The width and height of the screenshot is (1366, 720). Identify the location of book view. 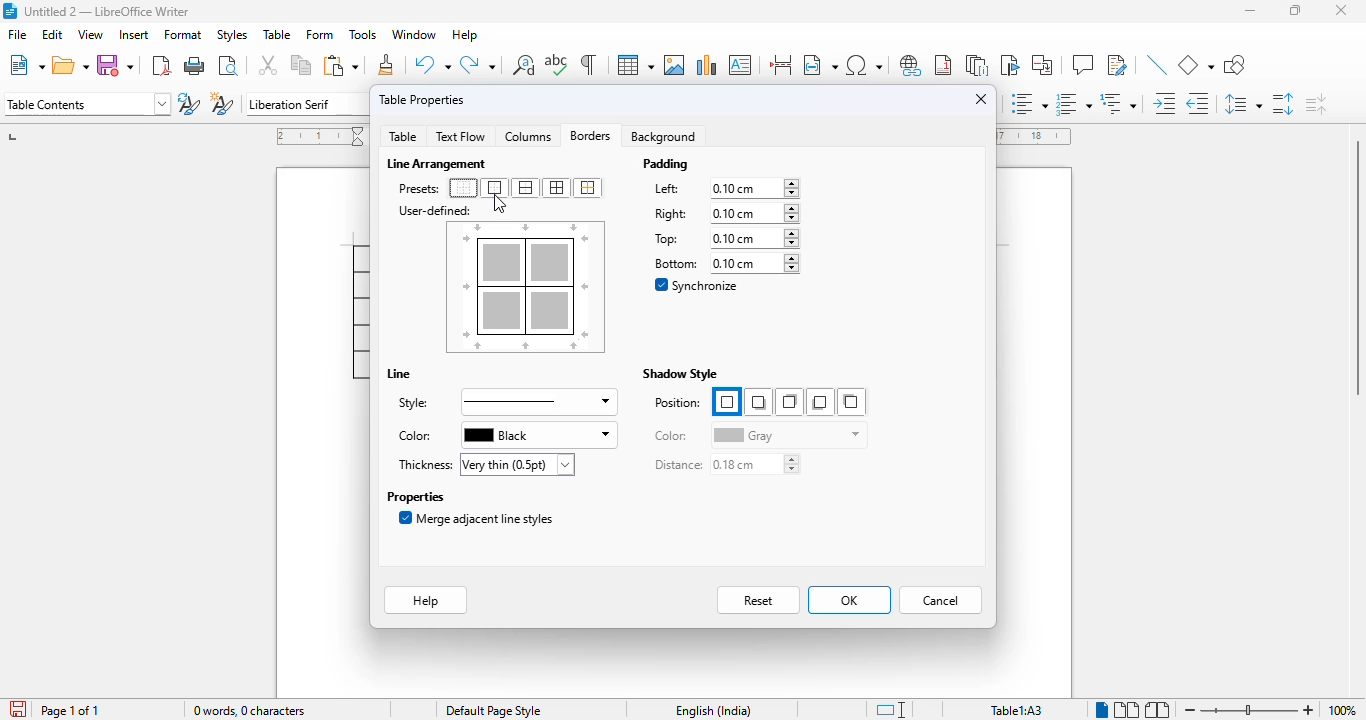
(1158, 710).